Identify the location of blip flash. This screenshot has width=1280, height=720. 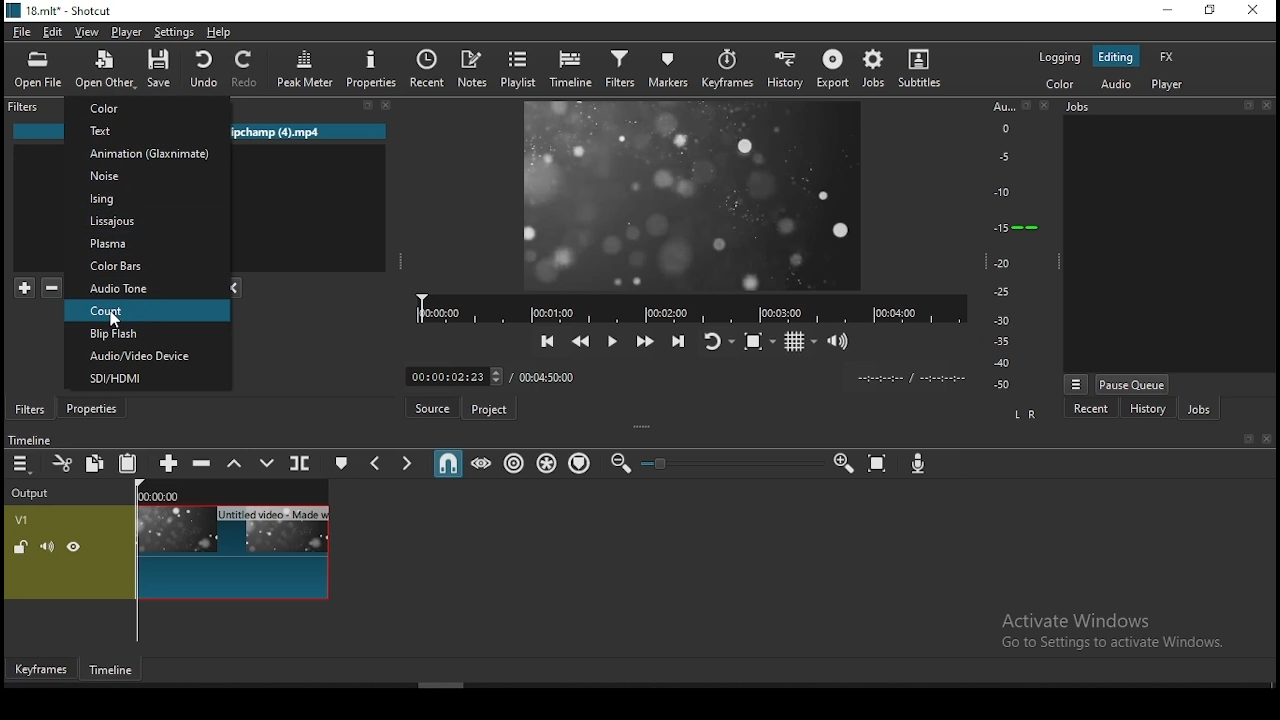
(146, 334).